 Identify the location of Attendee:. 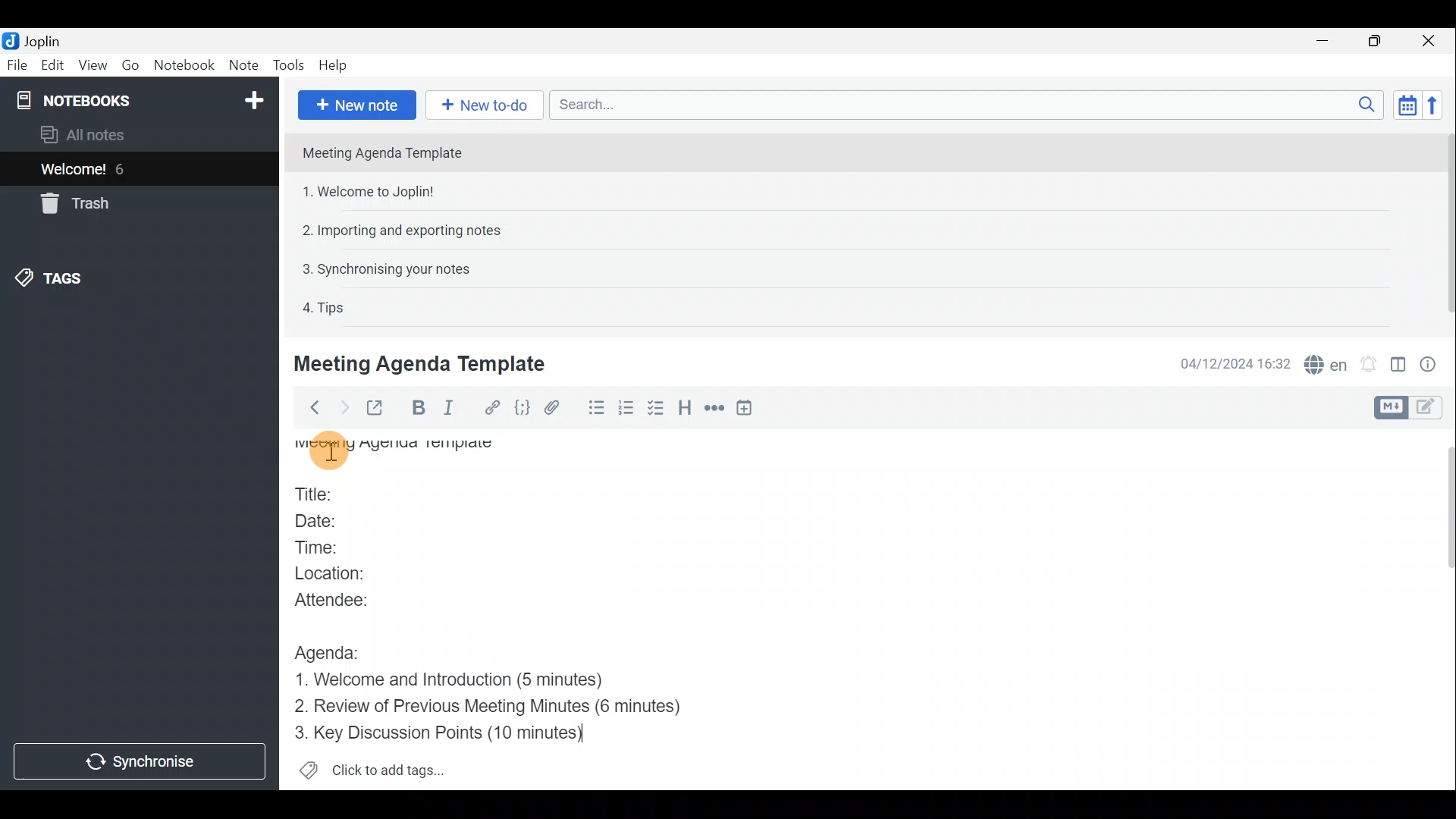
(347, 600).